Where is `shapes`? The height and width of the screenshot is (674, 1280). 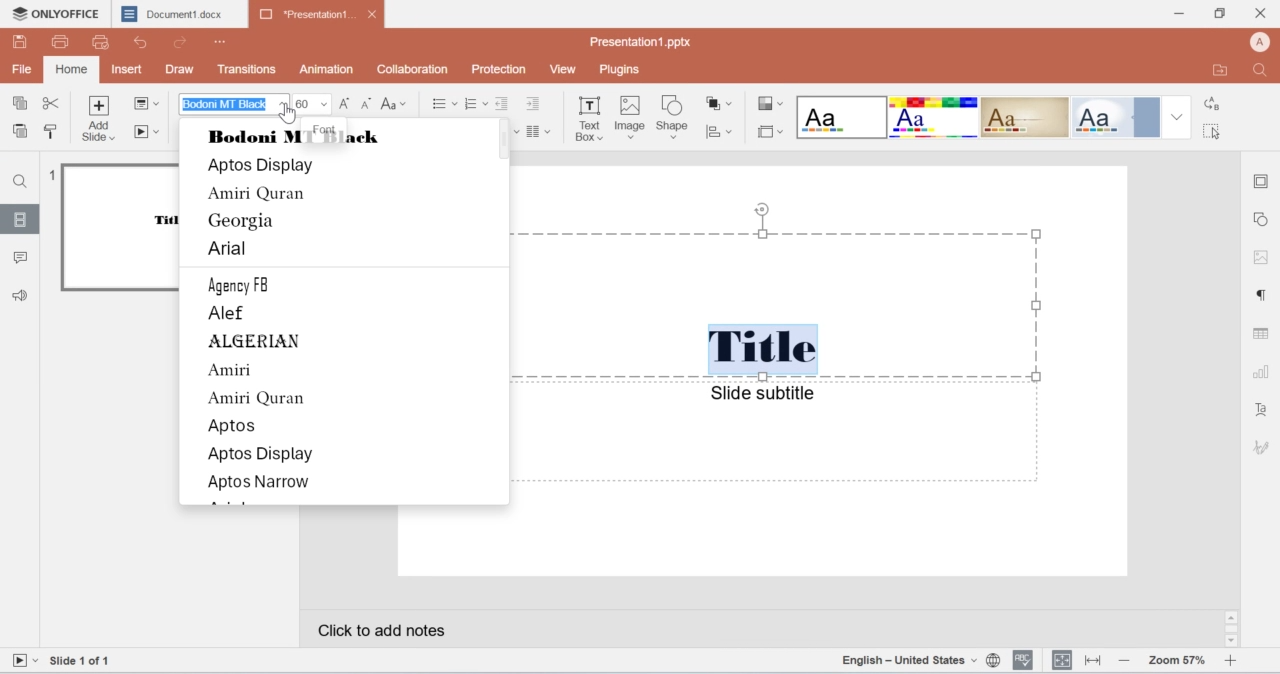 shapes is located at coordinates (721, 105).